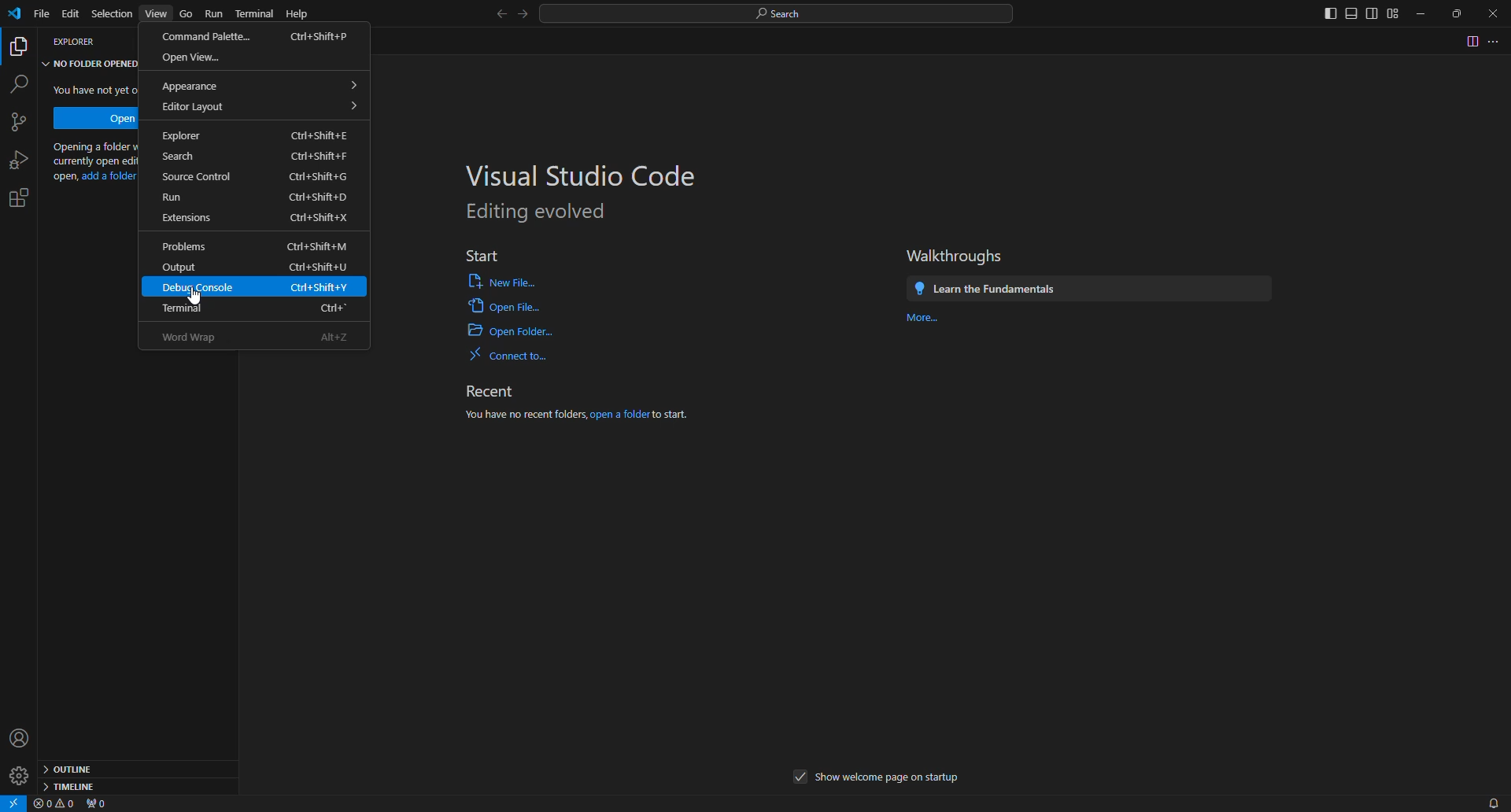 The height and width of the screenshot is (812, 1511). What do you see at coordinates (70, 41) in the screenshot?
I see `explorer` at bounding box center [70, 41].